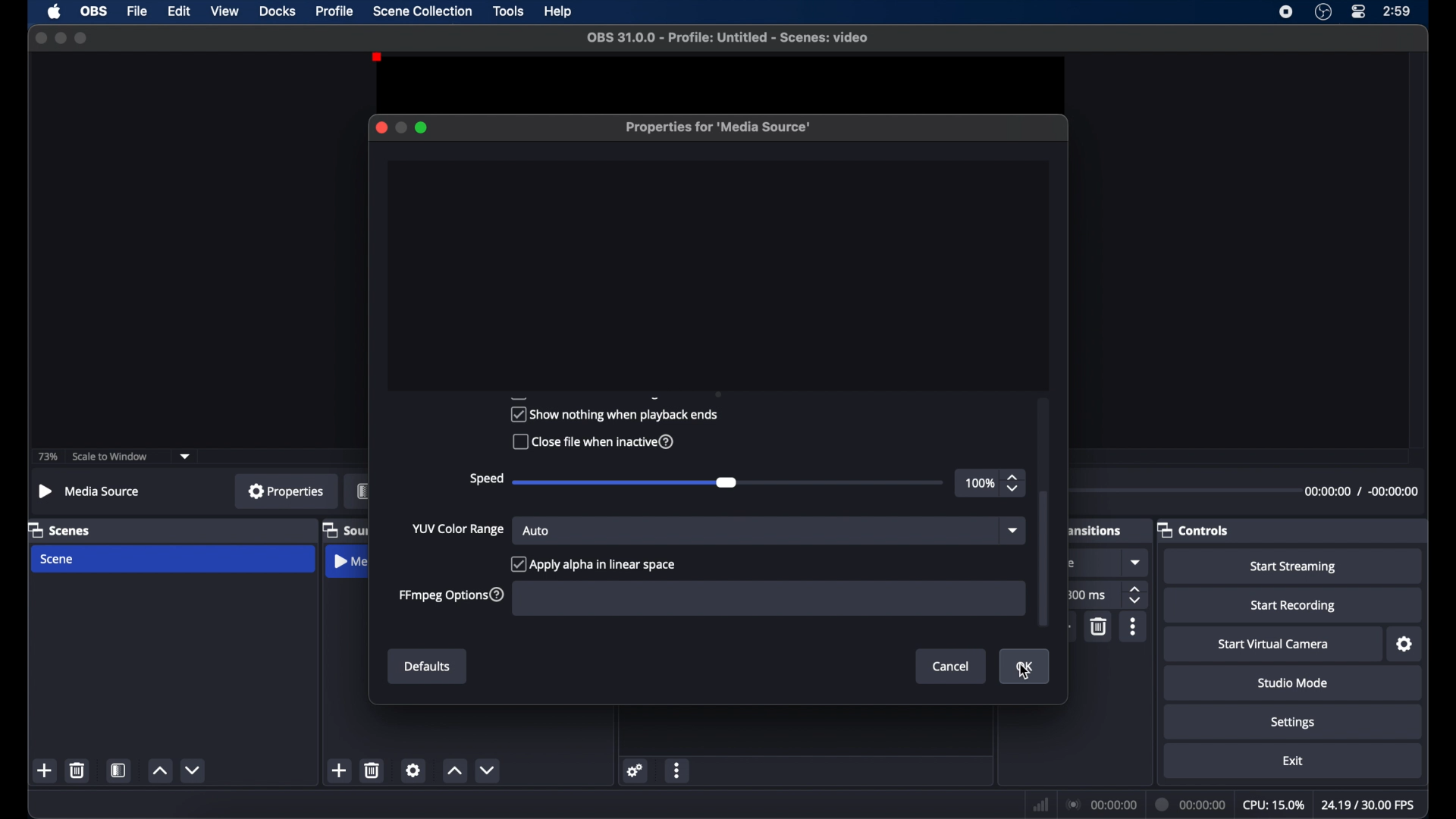 The height and width of the screenshot is (819, 1456). I want to click on 300 ms, so click(1087, 594).